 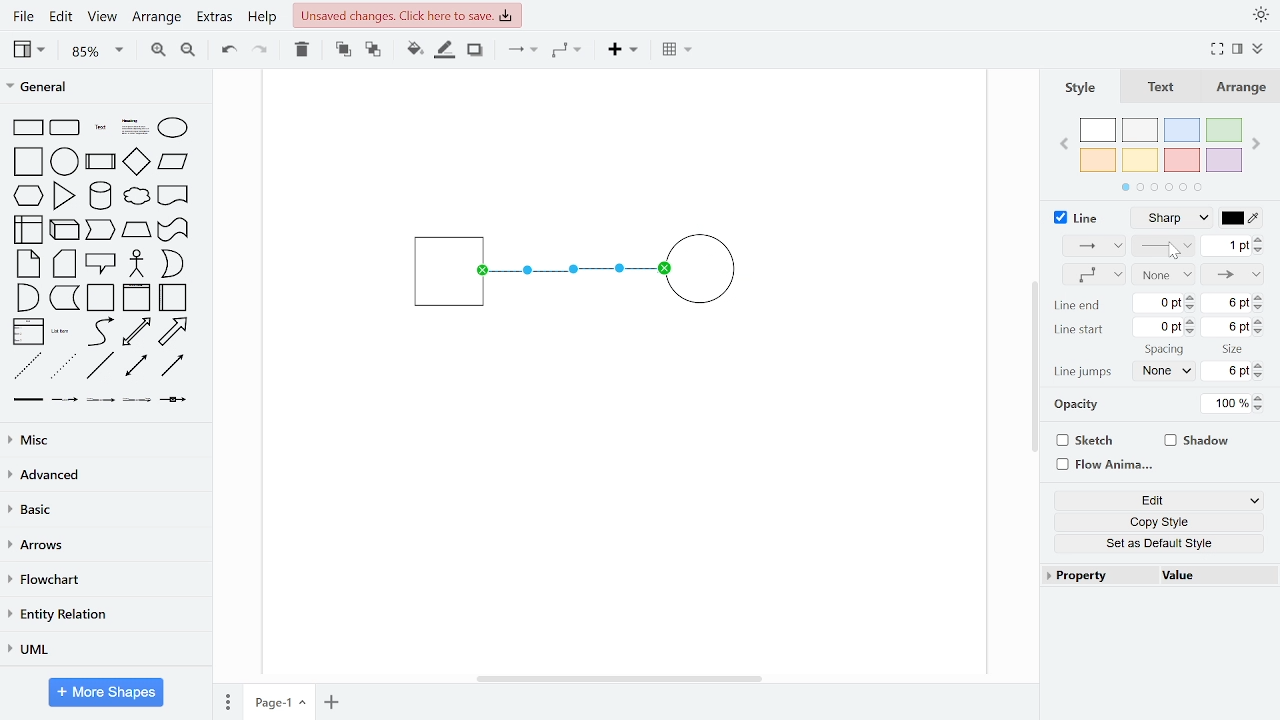 What do you see at coordinates (1233, 303) in the screenshot?
I see `change line end size` at bounding box center [1233, 303].